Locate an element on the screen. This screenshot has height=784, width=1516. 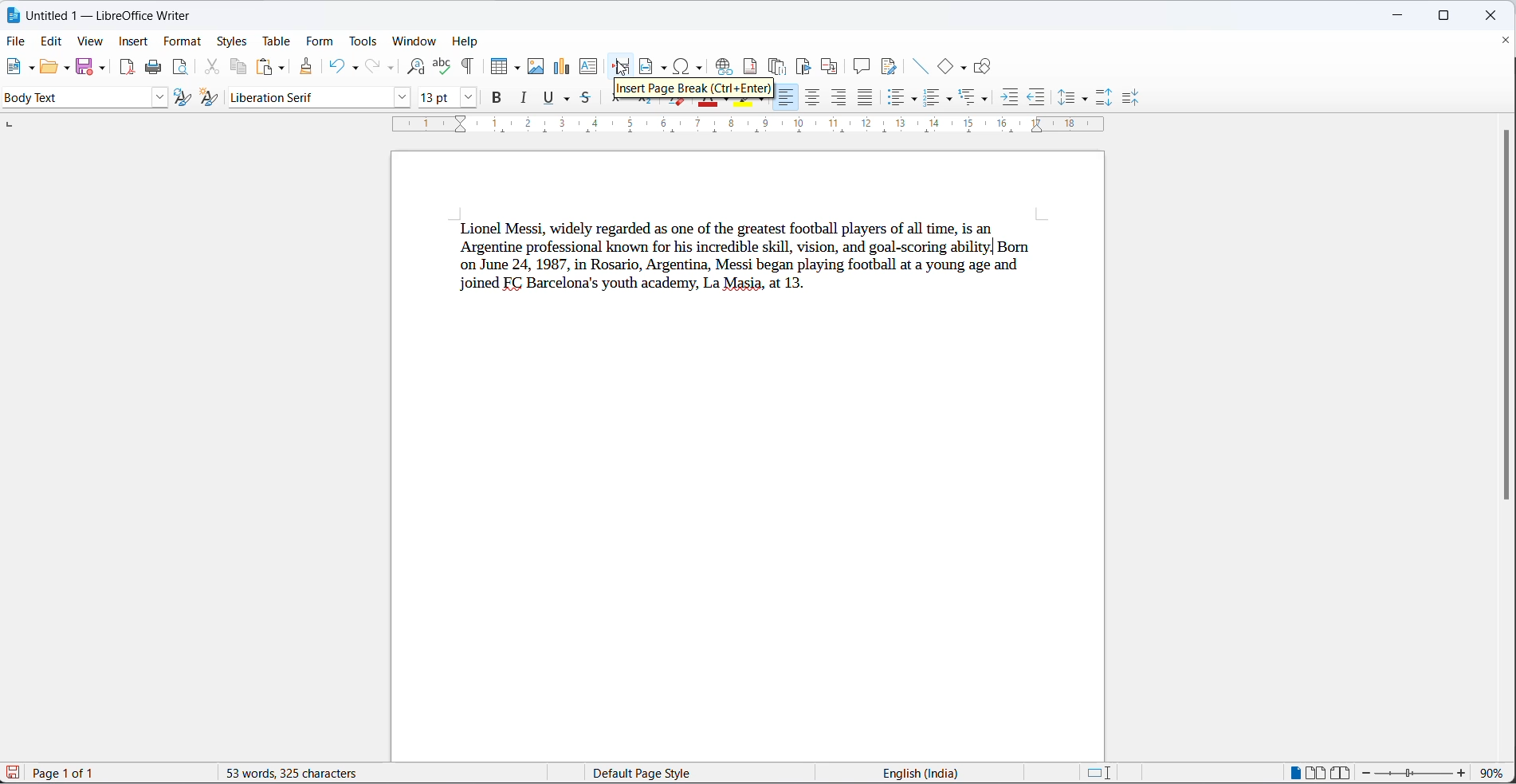
file is located at coordinates (17, 42).